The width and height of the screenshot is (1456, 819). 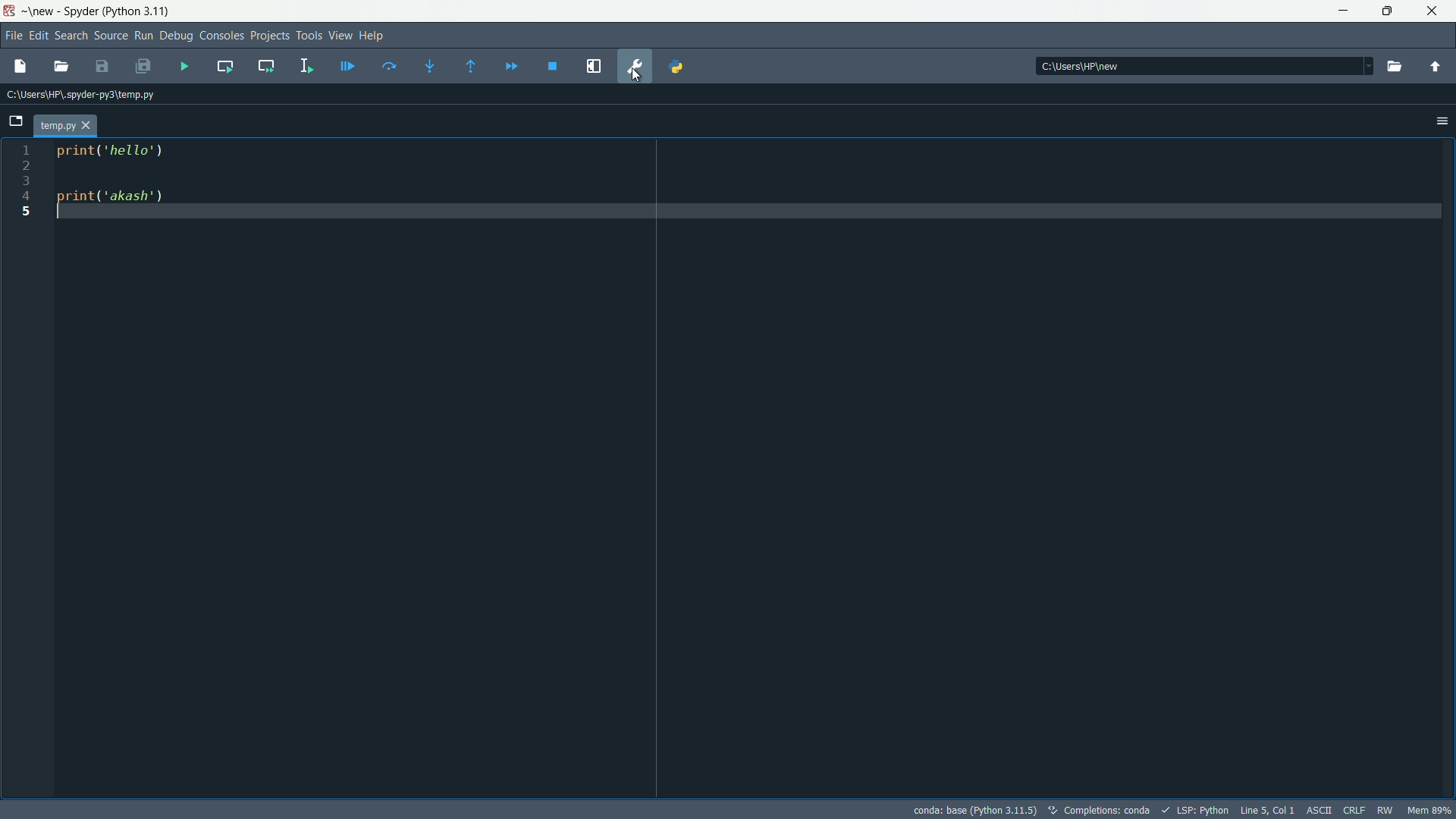 I want to click on browse directory, so click(x=1394, y=67).